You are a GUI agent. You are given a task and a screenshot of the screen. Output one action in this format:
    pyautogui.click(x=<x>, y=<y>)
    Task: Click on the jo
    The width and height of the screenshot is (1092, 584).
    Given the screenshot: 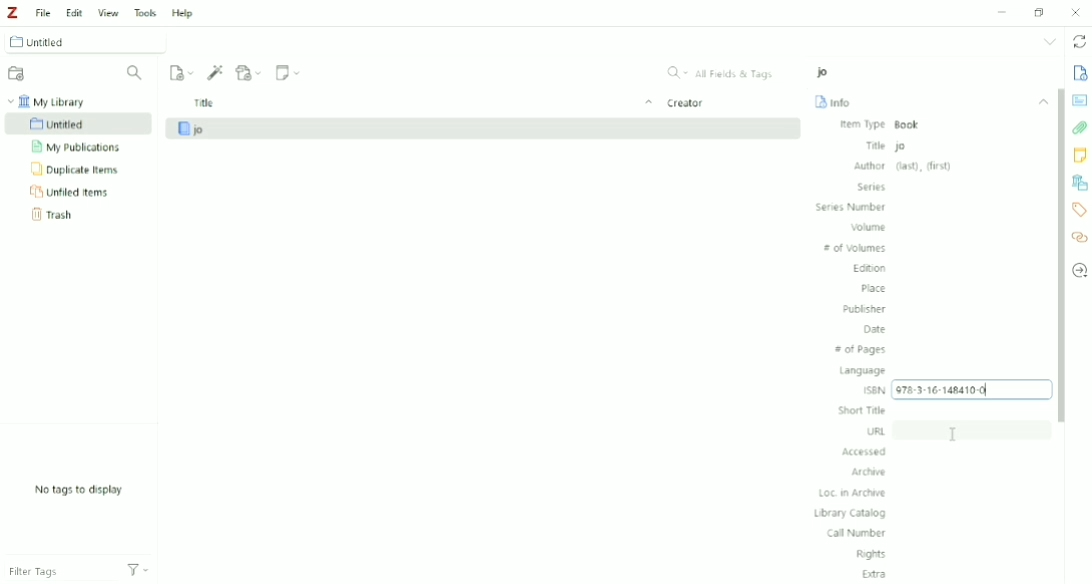 What is the action you would take?
    pyautogui.click(x=482, y=129)
    